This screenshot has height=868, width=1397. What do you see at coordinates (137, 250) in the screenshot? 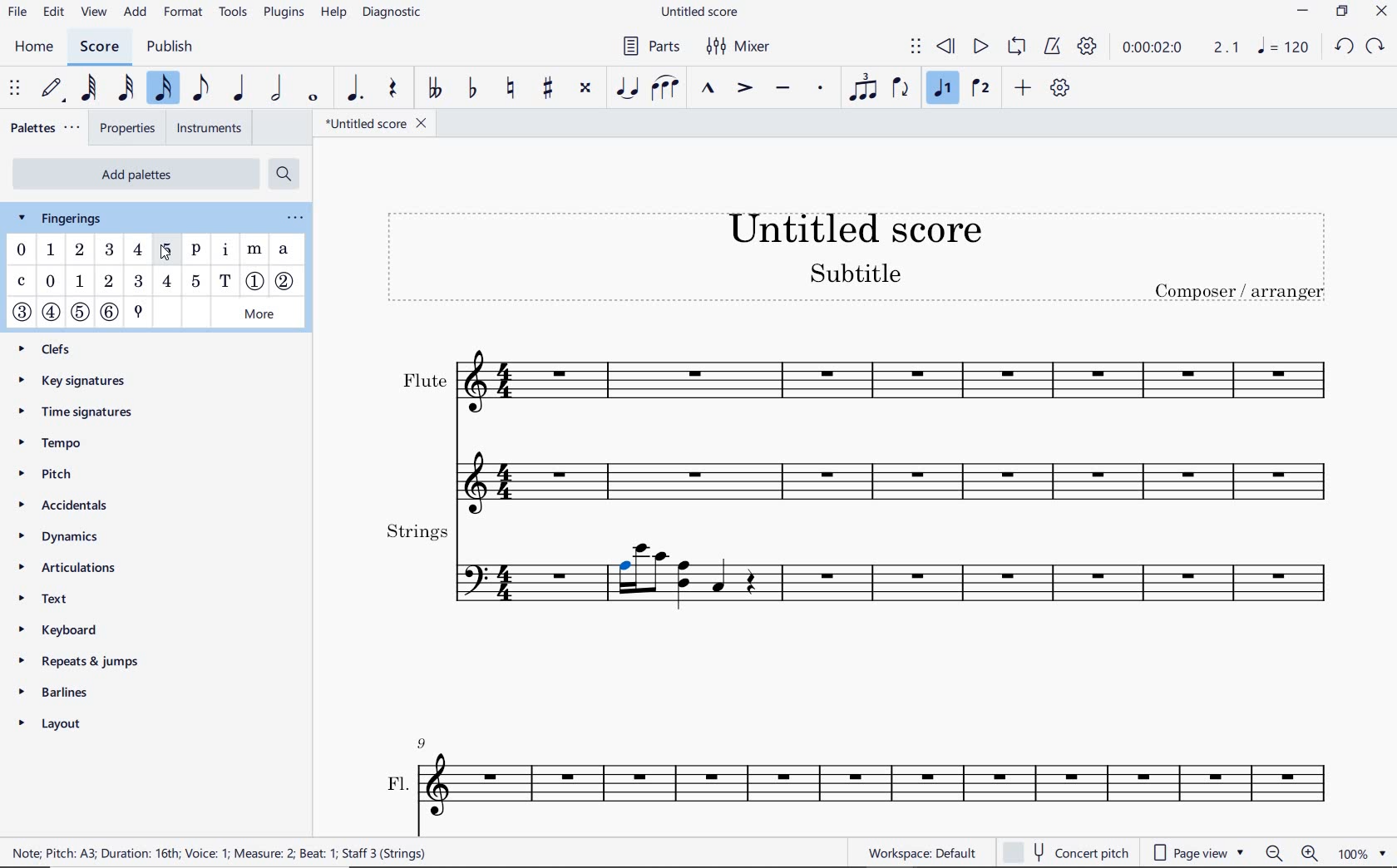
I see `fingering 4` at bounding box center [137, 250].